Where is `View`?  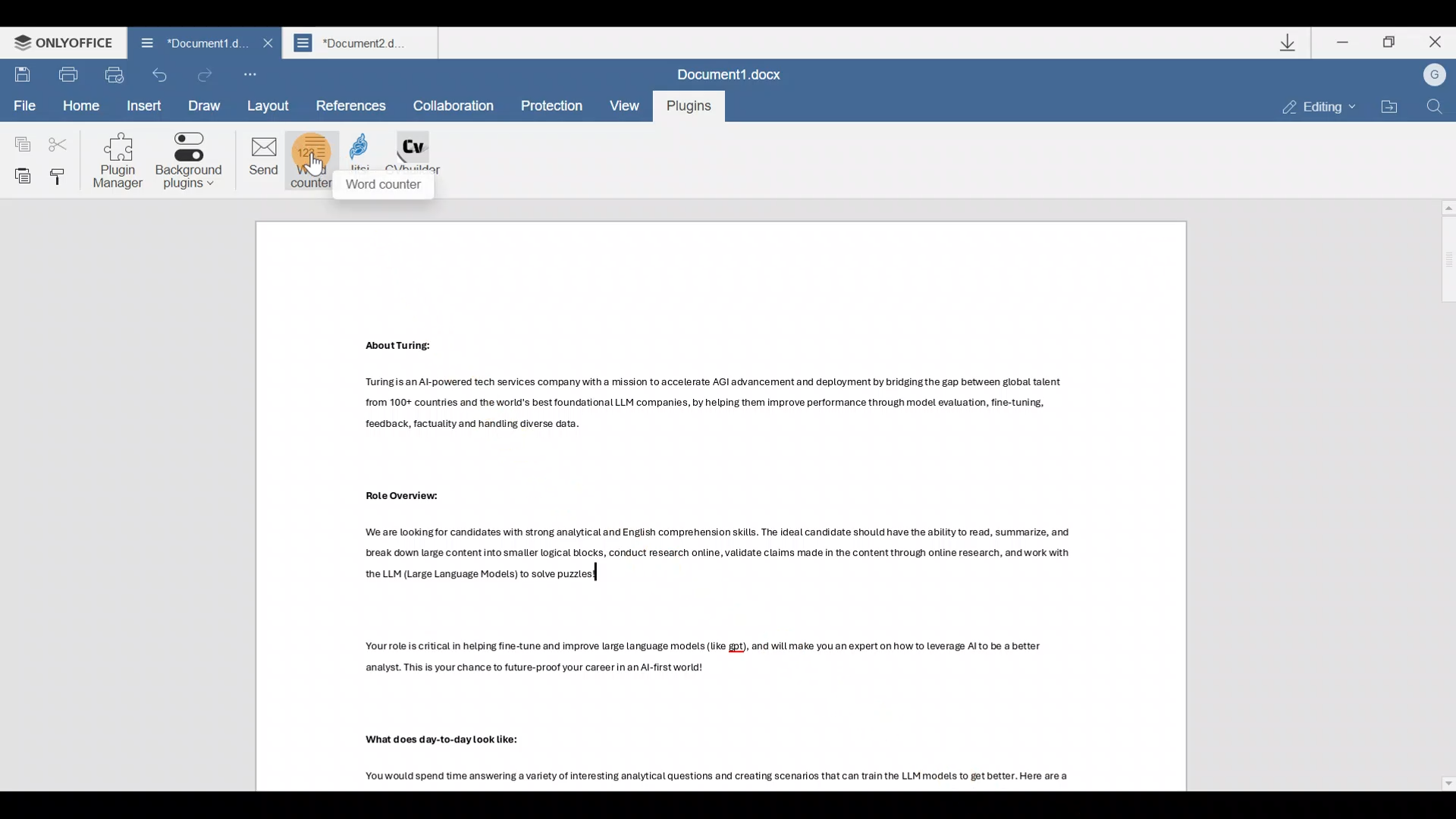 View is located at coordinates (623, 106).